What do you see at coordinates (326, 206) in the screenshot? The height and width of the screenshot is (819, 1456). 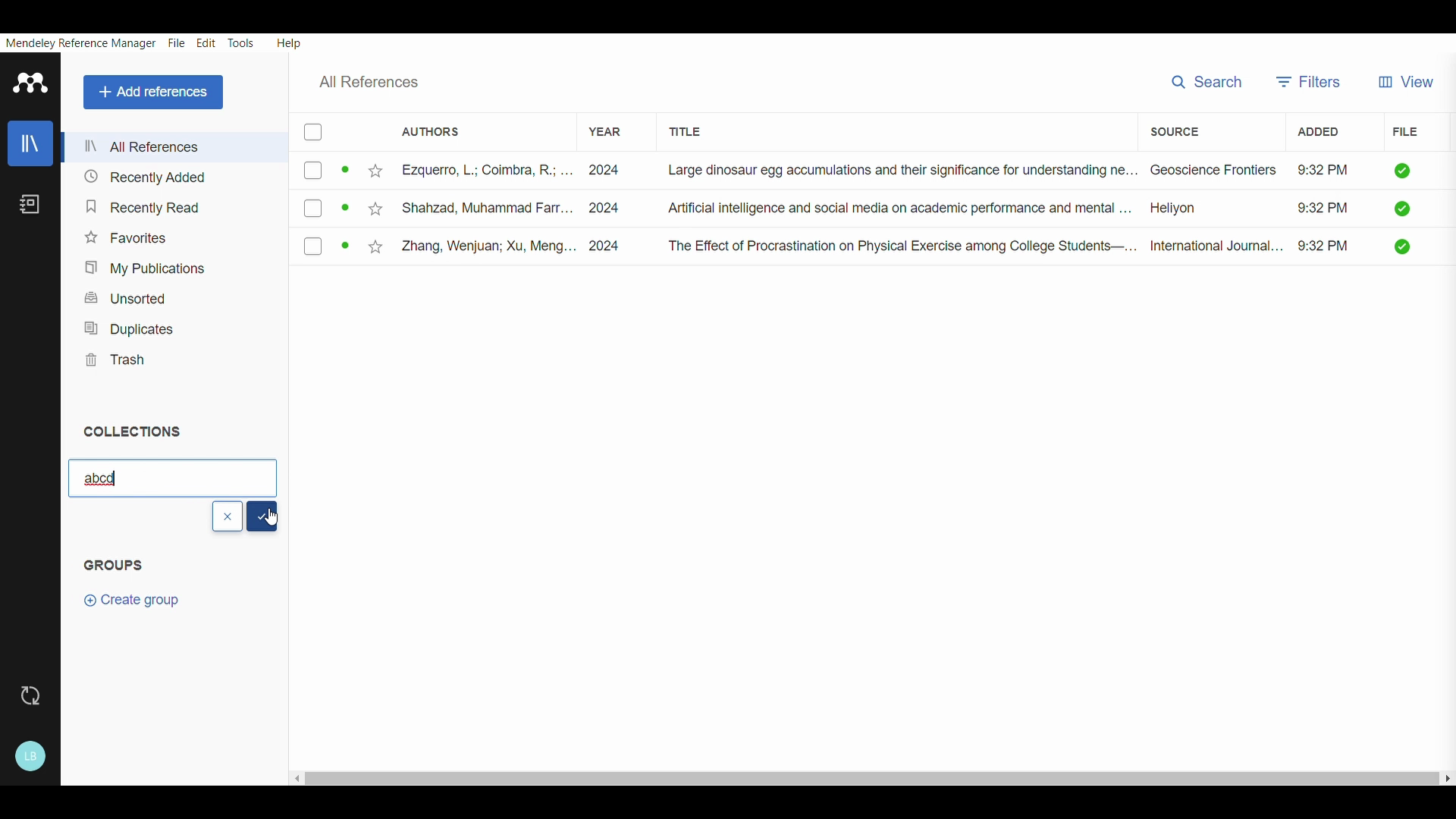 I see `checkbox` at bounding box center [326, 206].